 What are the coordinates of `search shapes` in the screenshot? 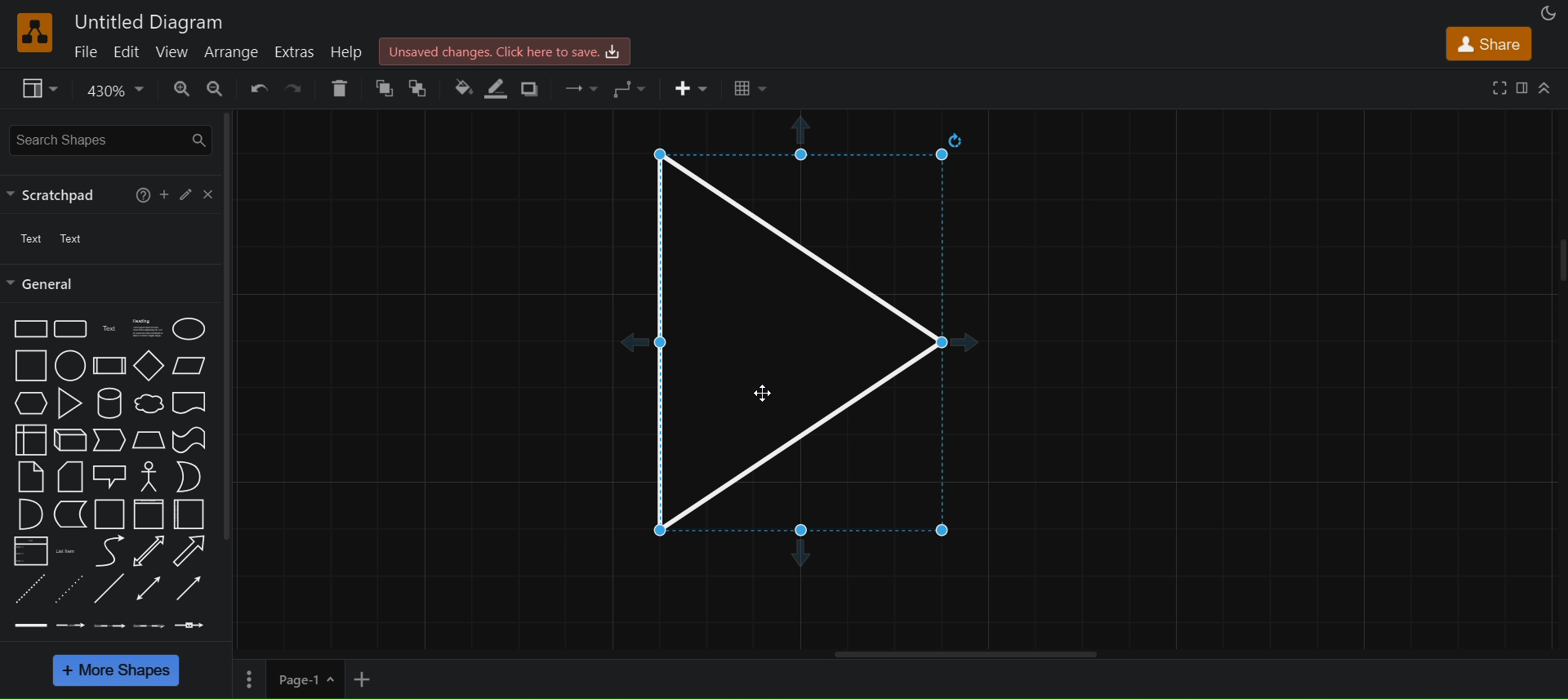 It's located at (113, 140).